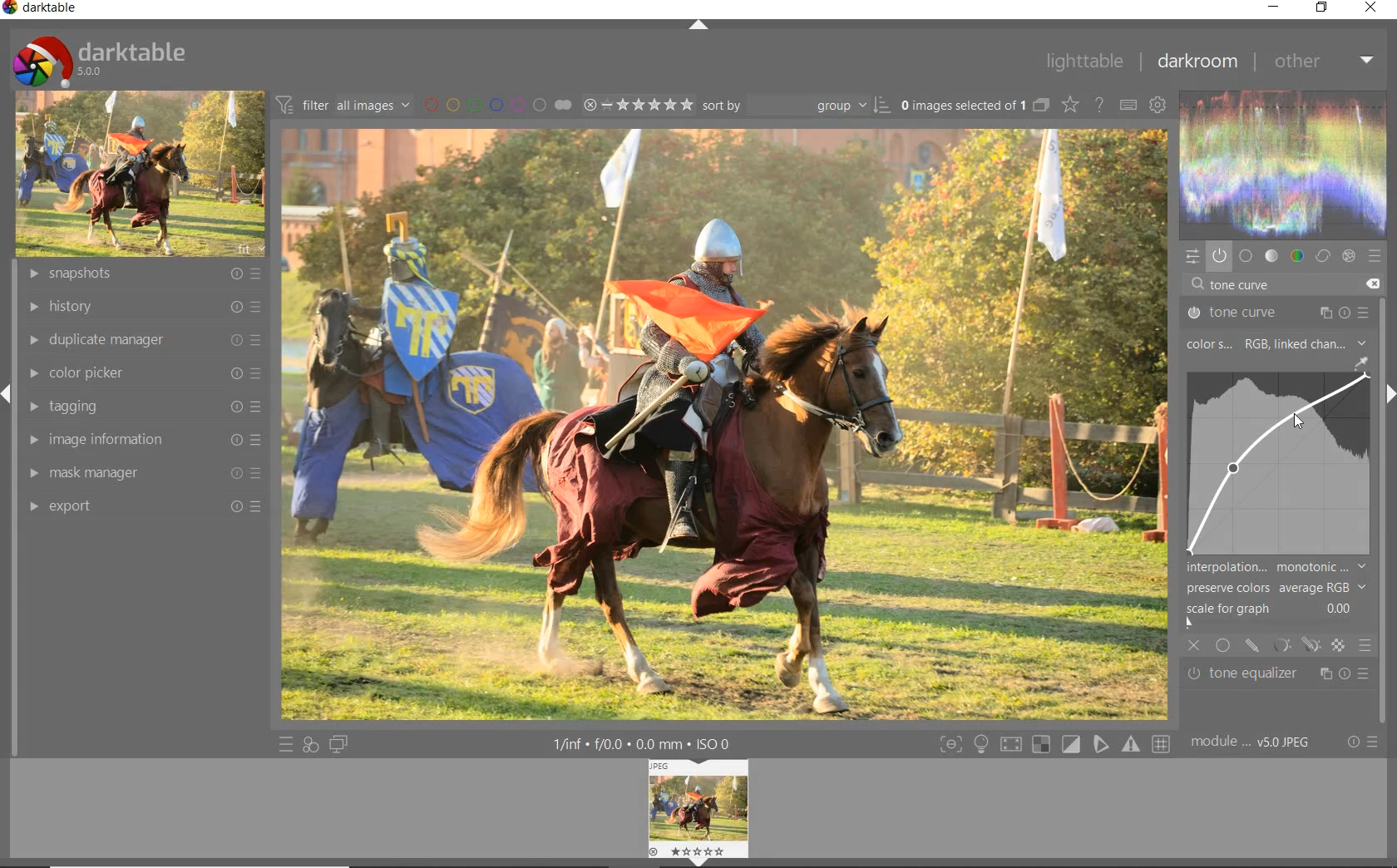 Image resolution: width=1397 pixels, height=868 pixels. Describe the element at coordinates (496, 104) in the screenshot. I see `filter by image color label` at that location.